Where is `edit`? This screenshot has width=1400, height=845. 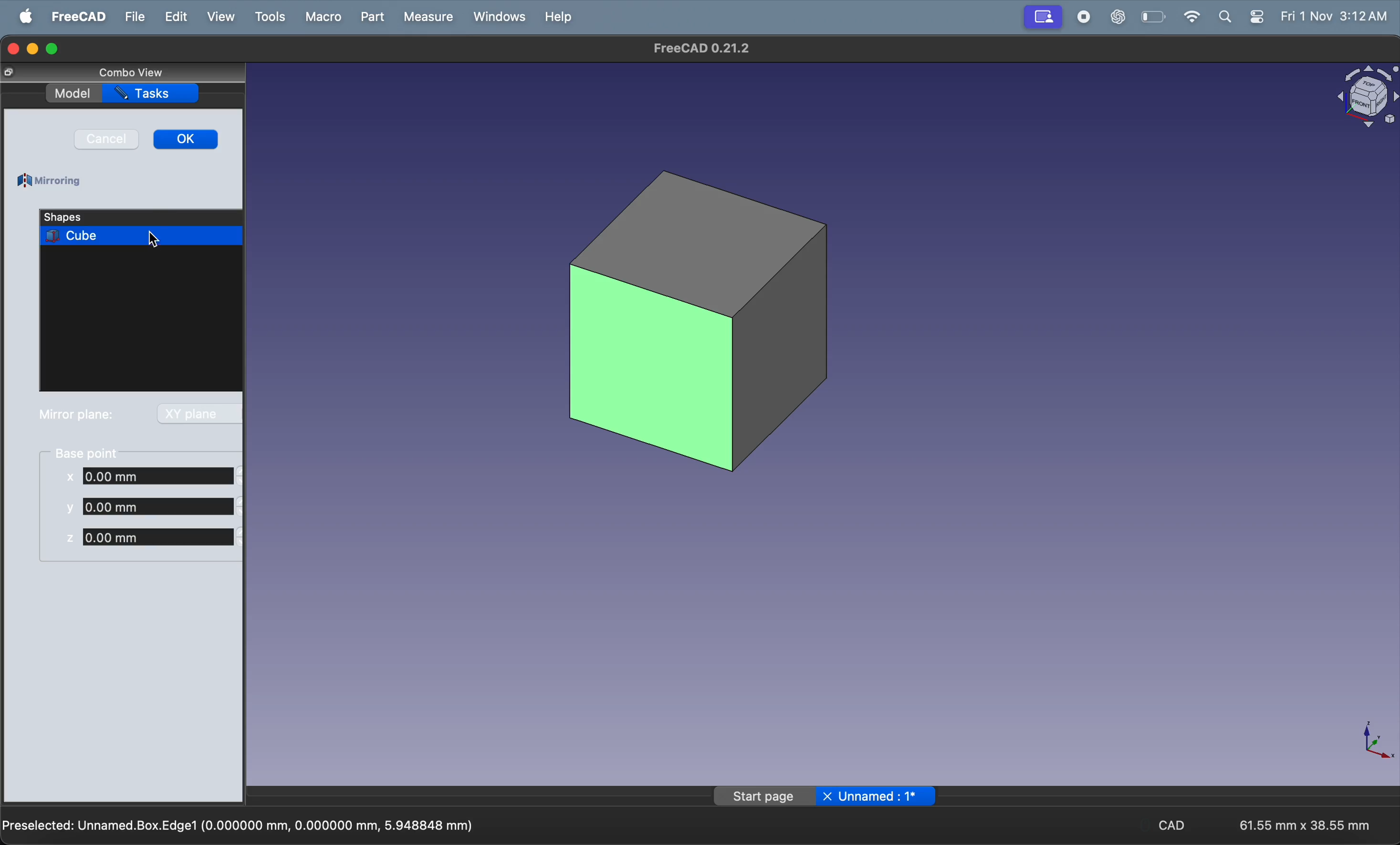 edit is located at coordinates (173, 16).